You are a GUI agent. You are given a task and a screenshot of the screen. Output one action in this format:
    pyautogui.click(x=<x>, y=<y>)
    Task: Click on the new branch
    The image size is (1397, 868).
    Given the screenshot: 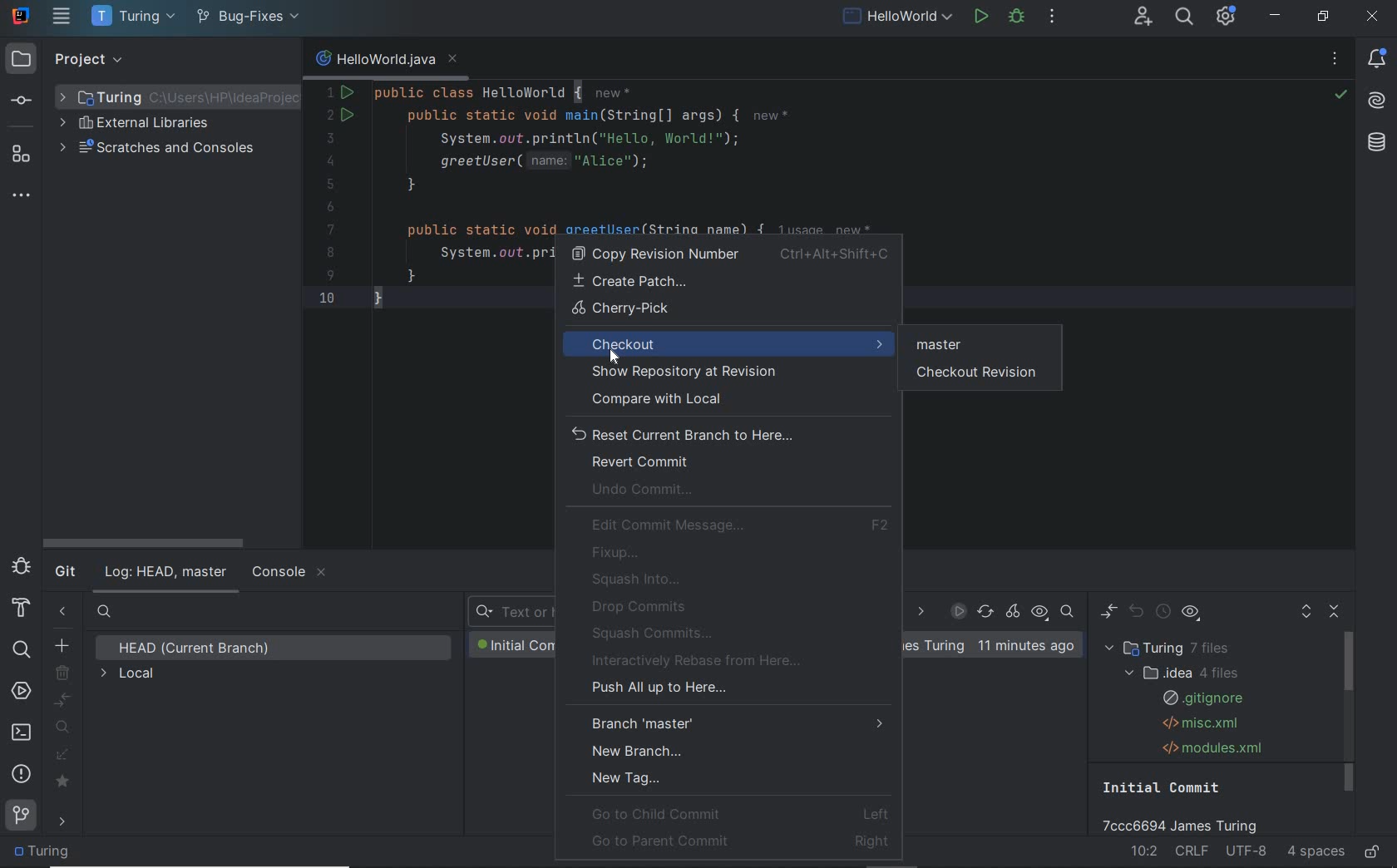 What is the action you would take?
    pyautogui.click(x=639, y=750)
    